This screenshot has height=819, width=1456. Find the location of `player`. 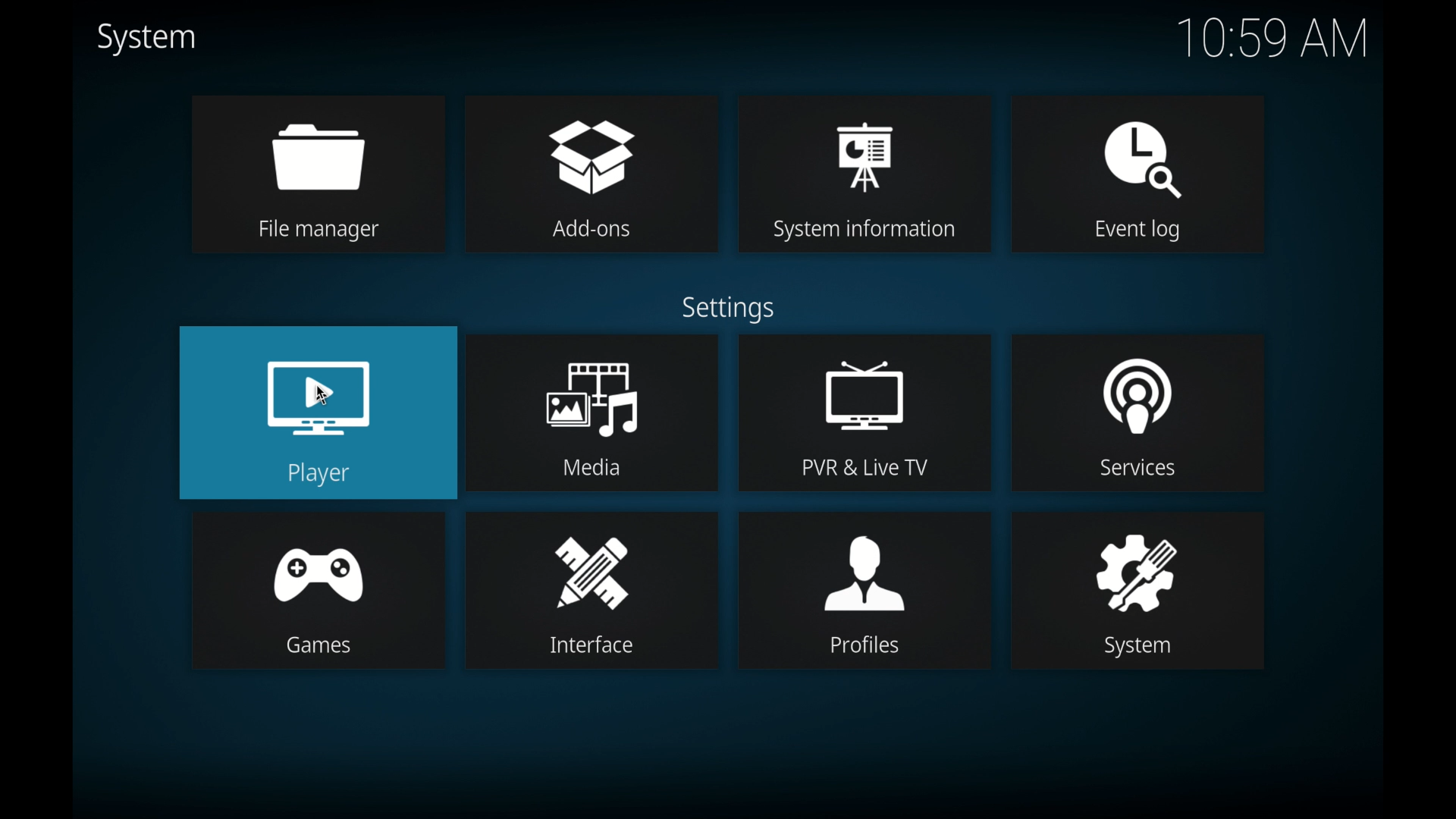

player is located at coordinates (317, 413).